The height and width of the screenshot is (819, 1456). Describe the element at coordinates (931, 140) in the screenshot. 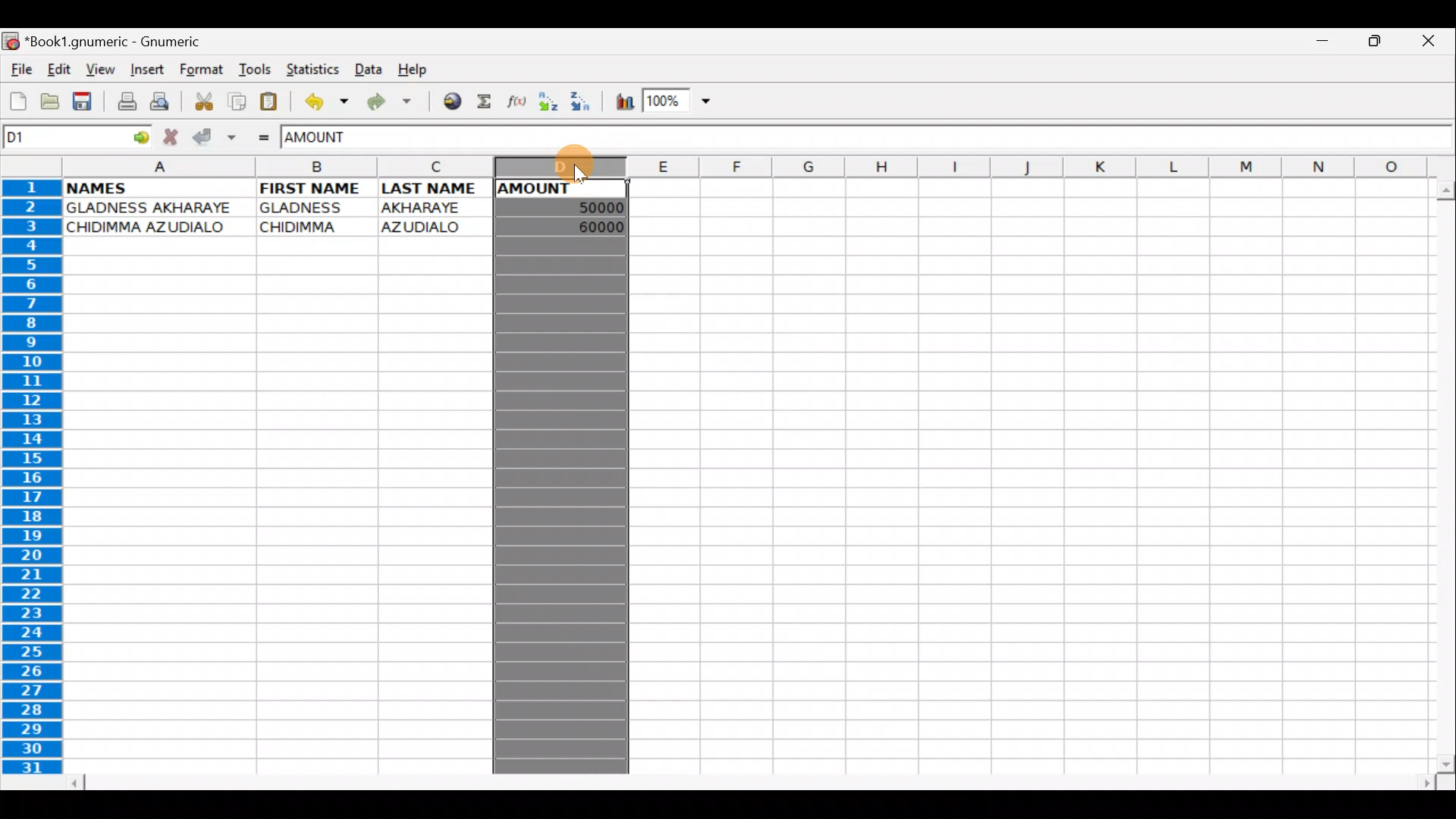

I see `Formula bar` at that location.